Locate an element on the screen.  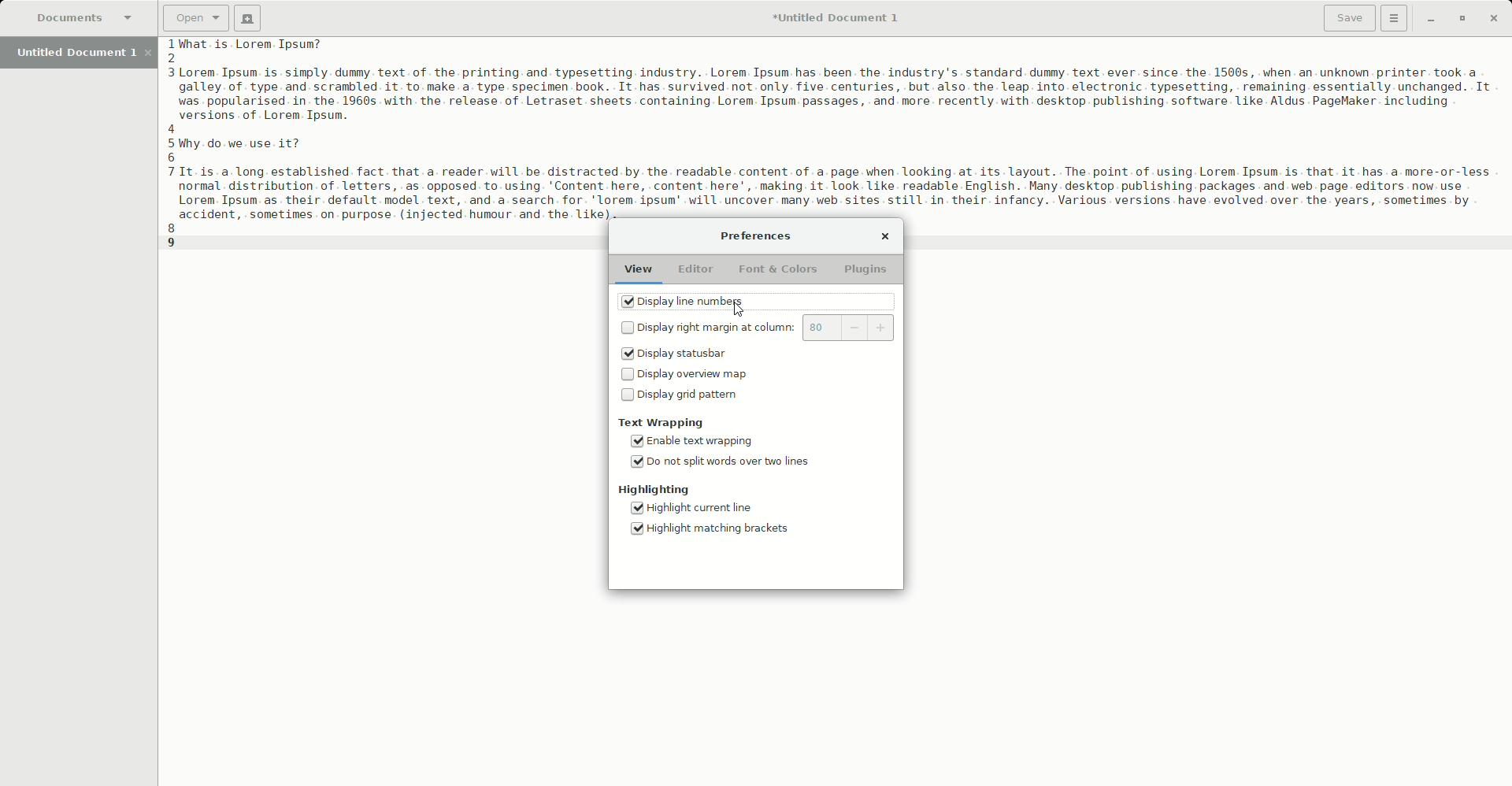
New is located at coordinates (246, 18).